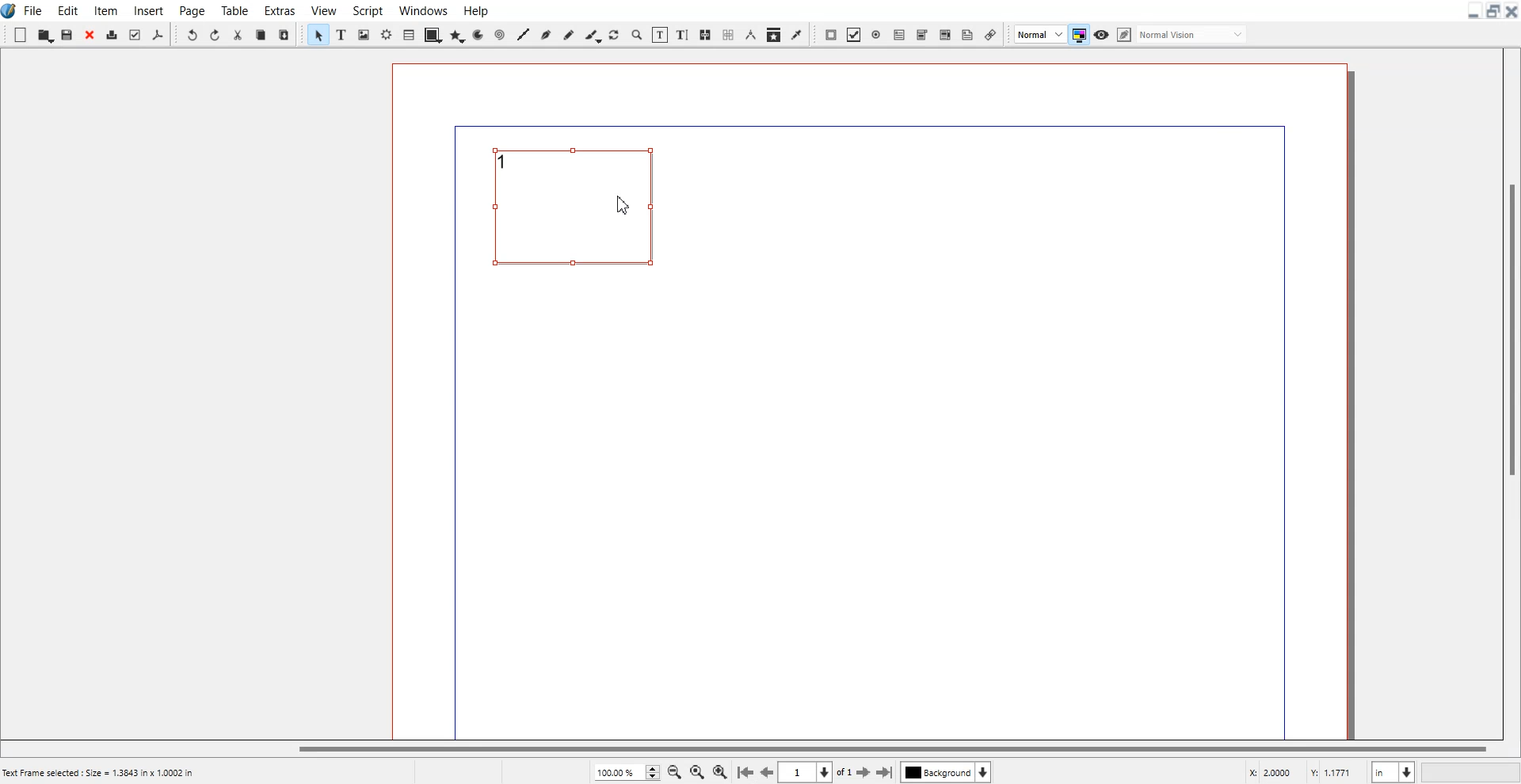  What do you see at coordinates (1511, 11) in the screenshot?
I see `Close` at bounding box center [1511, 11].